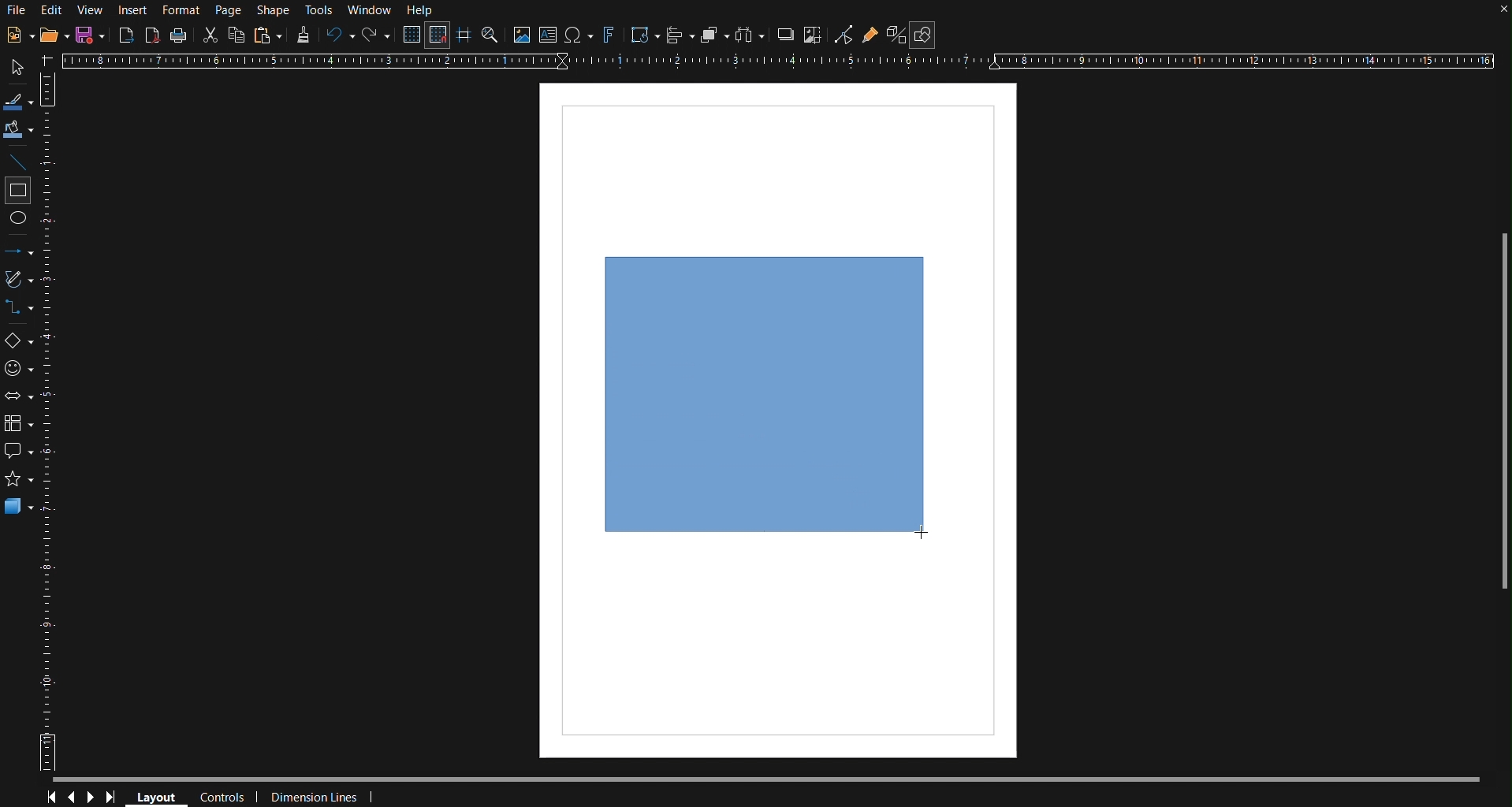 Image resolution: width=1512 pixels, height=807 pixels. Describe the element at coordinates (274, 11) in the screenshot. I see `Shape` at that location.